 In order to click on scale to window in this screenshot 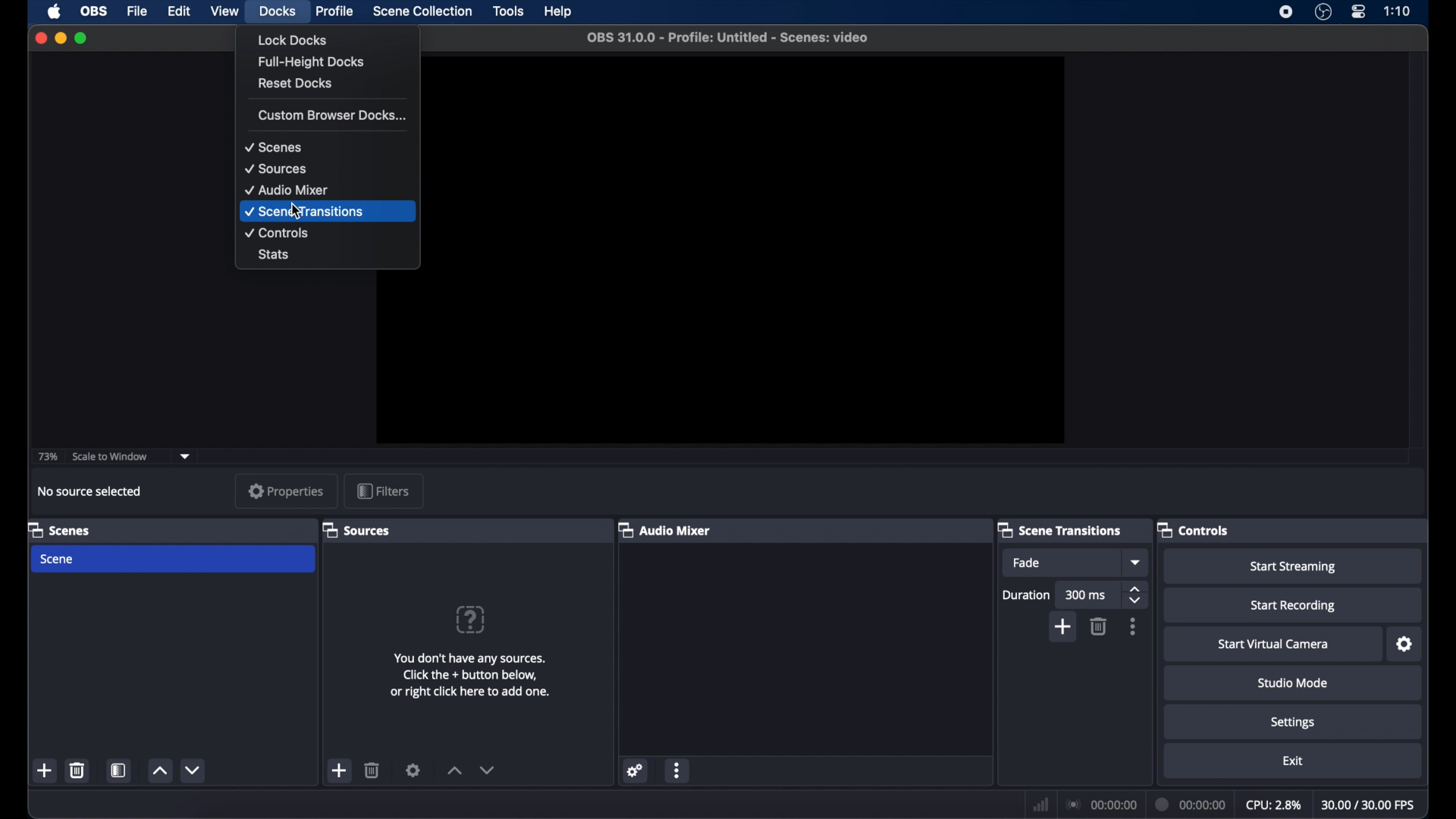, I will do `click(112, 457)`.